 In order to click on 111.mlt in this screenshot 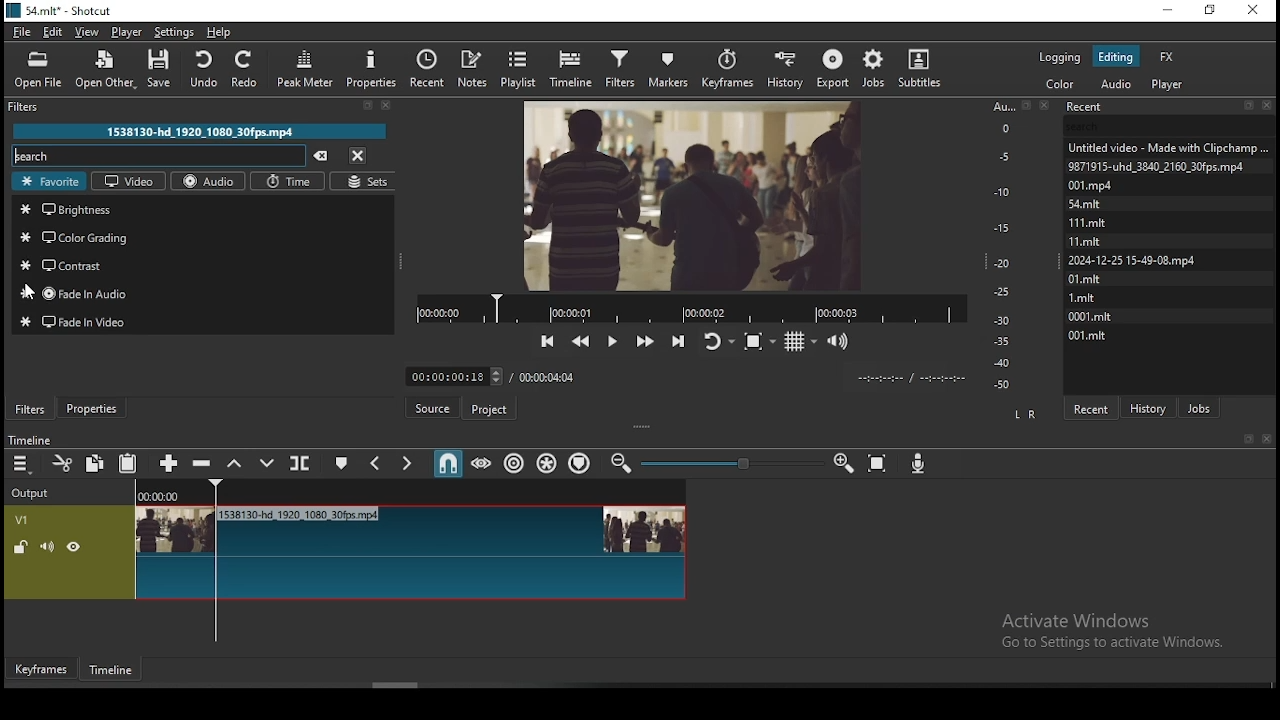, I will do `click(1087, 220)`.